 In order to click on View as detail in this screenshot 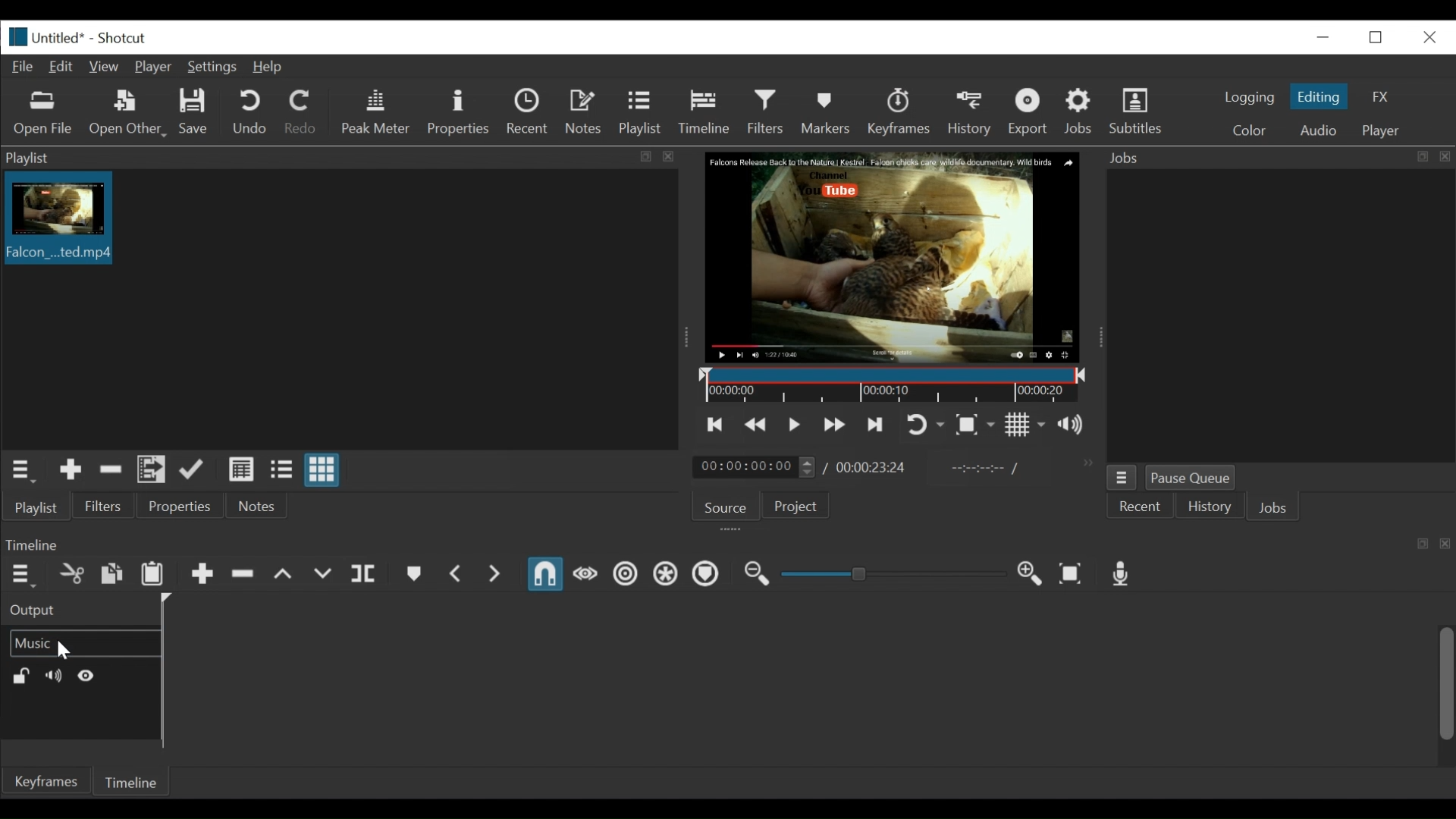, I will do `click(240, 472)`.